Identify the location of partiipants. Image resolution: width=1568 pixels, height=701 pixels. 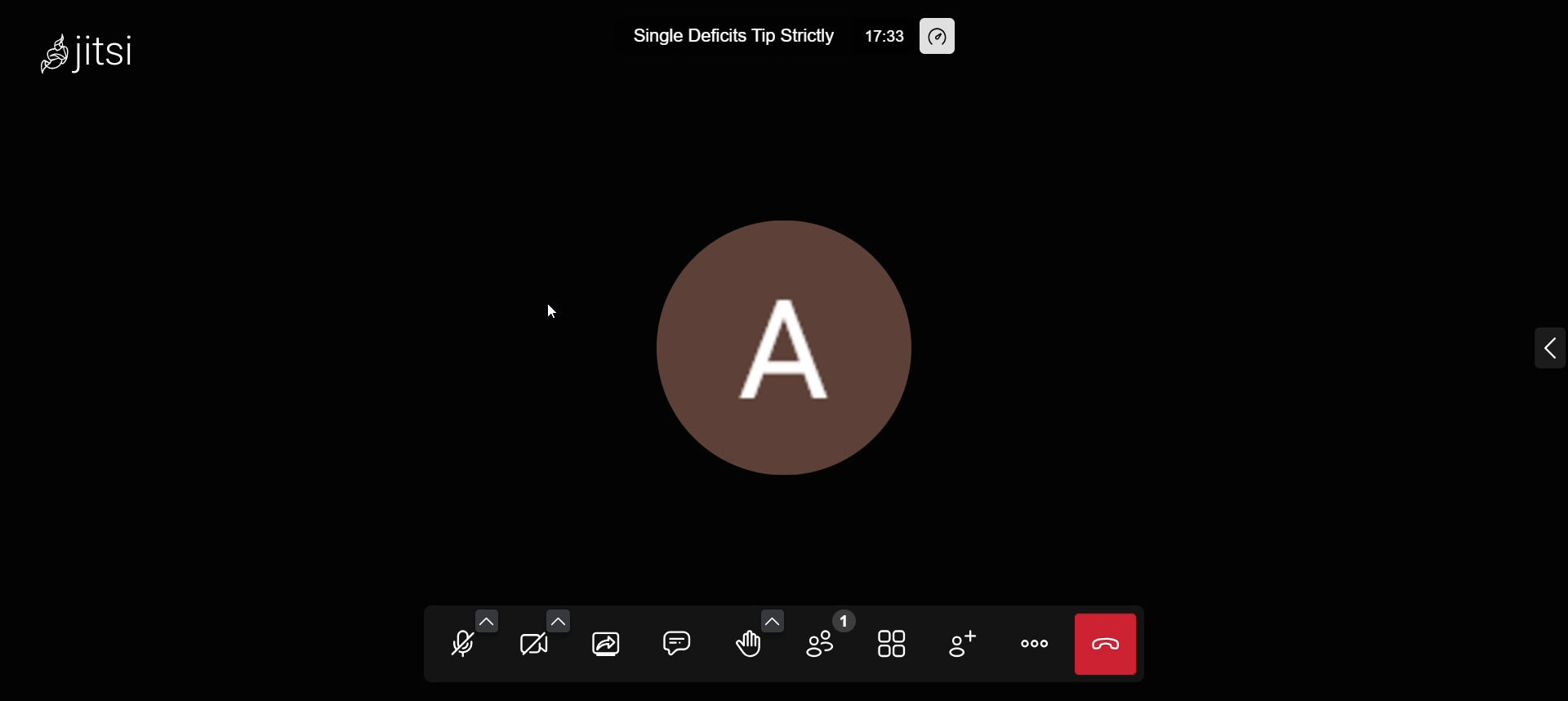
(828, 636).